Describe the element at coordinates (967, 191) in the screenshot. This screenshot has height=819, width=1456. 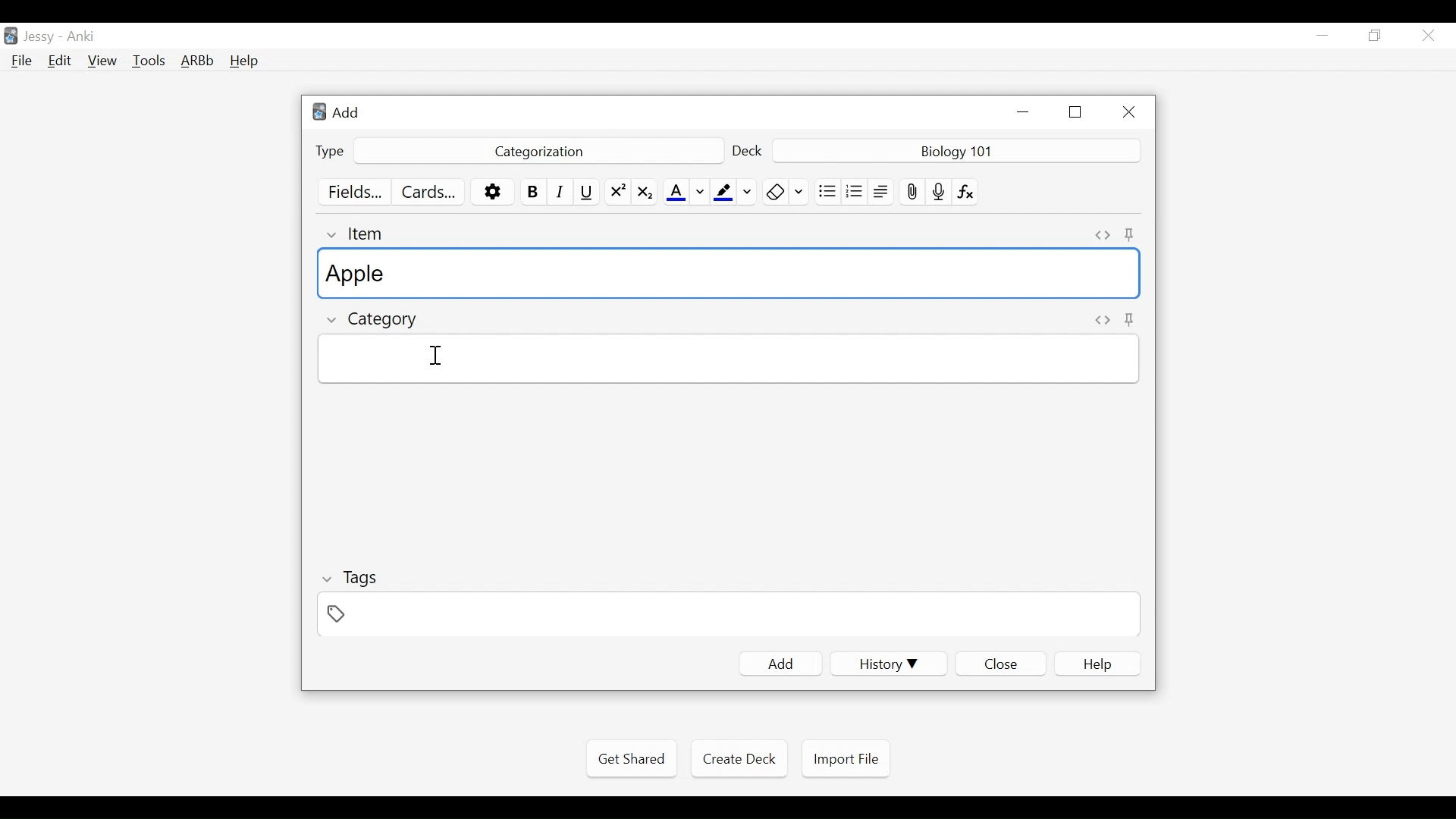
I see `Equation` at that location.